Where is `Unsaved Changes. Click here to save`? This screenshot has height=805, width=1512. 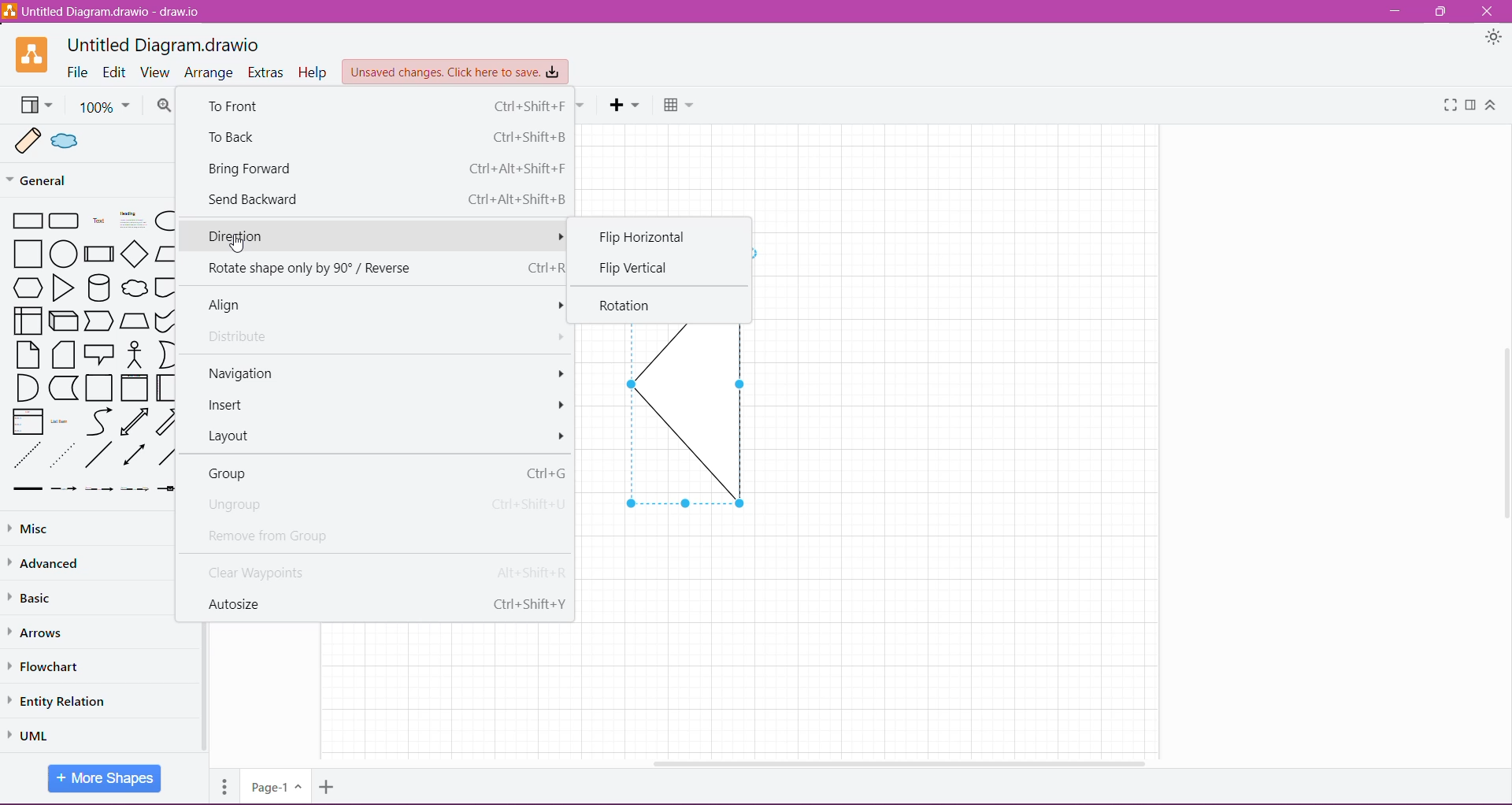 Unsaved Changes. Click here to save is located at coordinates (454, 72).